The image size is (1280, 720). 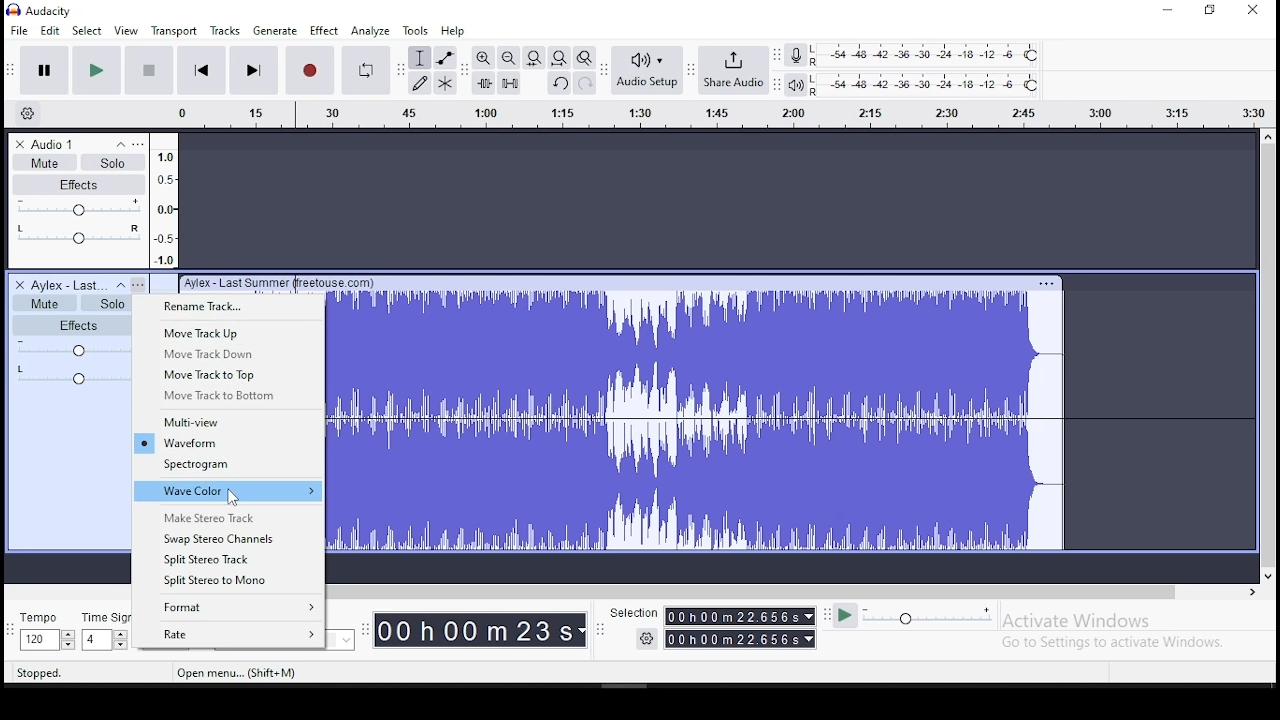 I want to click on audio 1, so click(x=55, y=144).